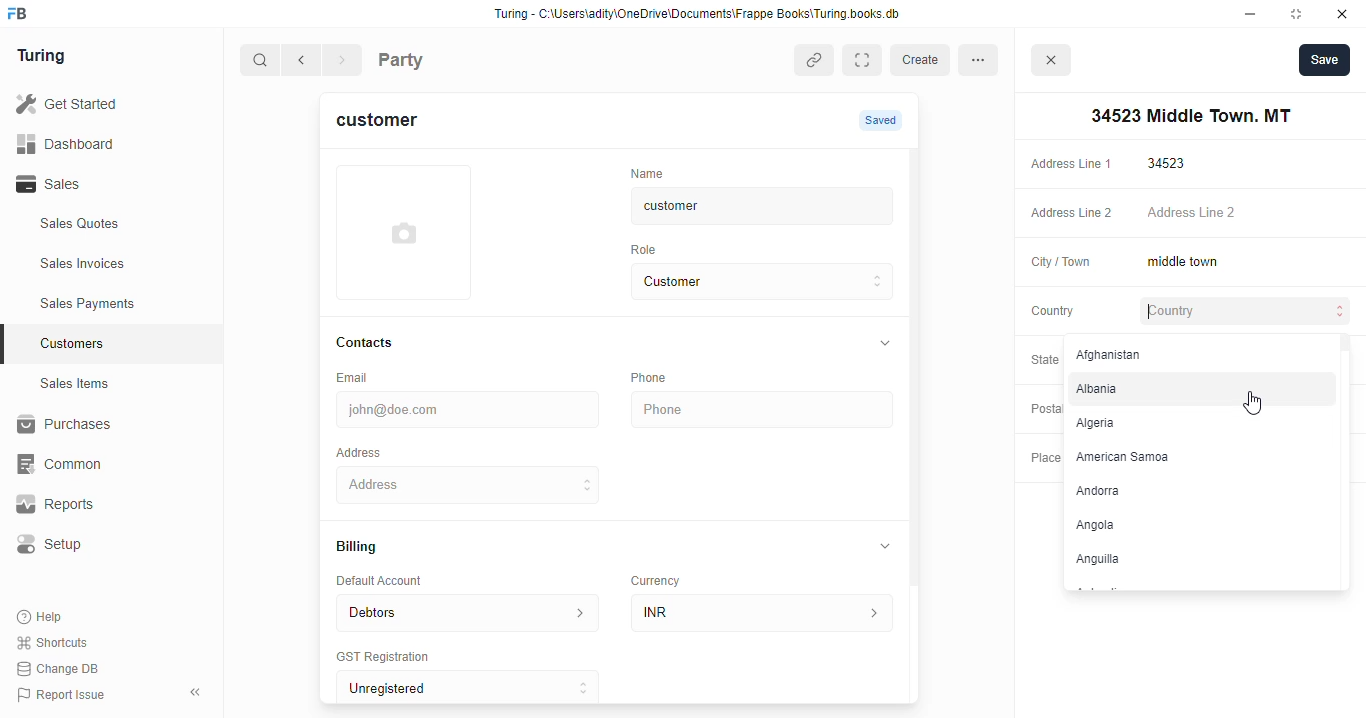 This screenshot has width=1366, height=718. Describe the element at coordinates (1194, 492) in the screenshot. I see `‘Andorra` at that location.